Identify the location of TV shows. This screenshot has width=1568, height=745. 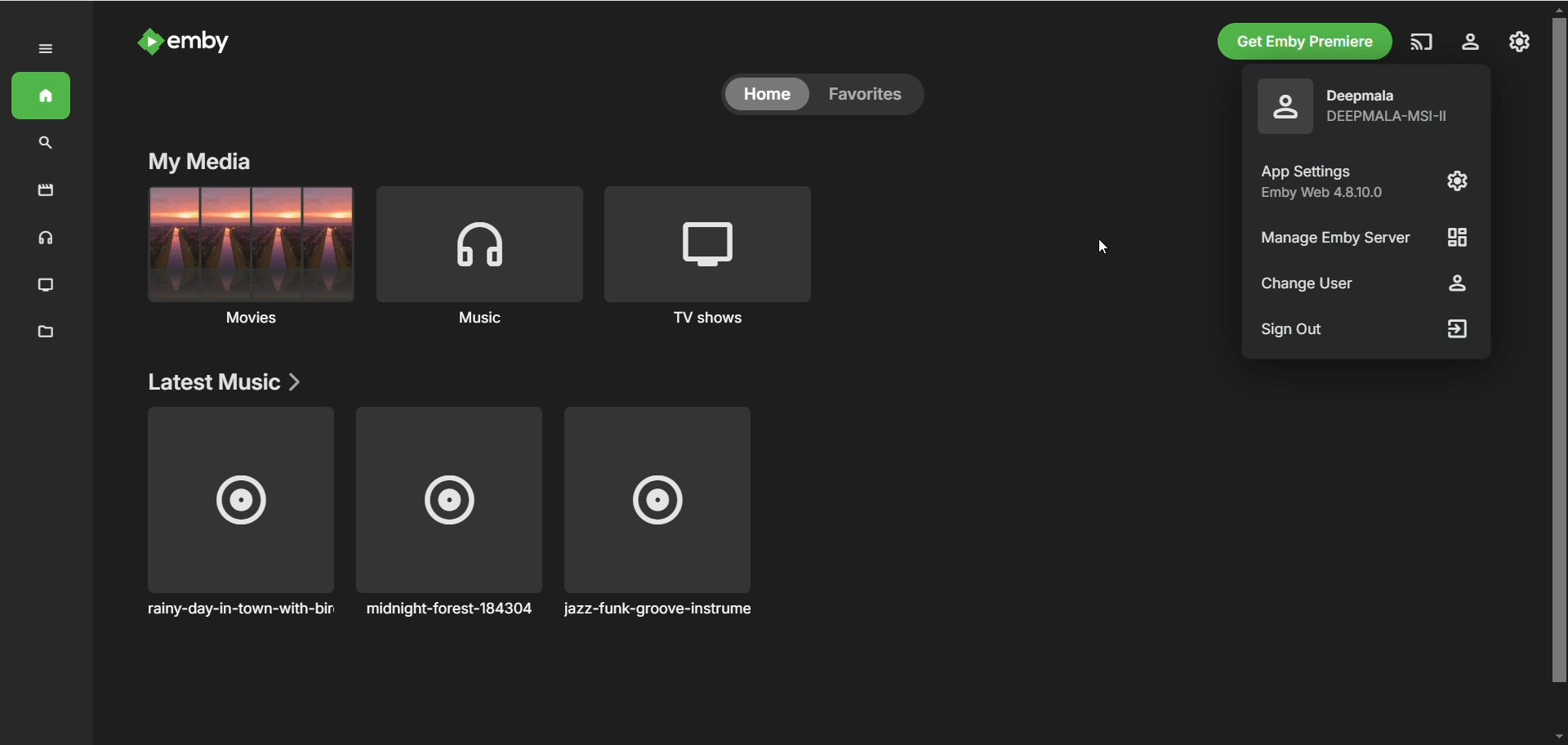
(47, 287).